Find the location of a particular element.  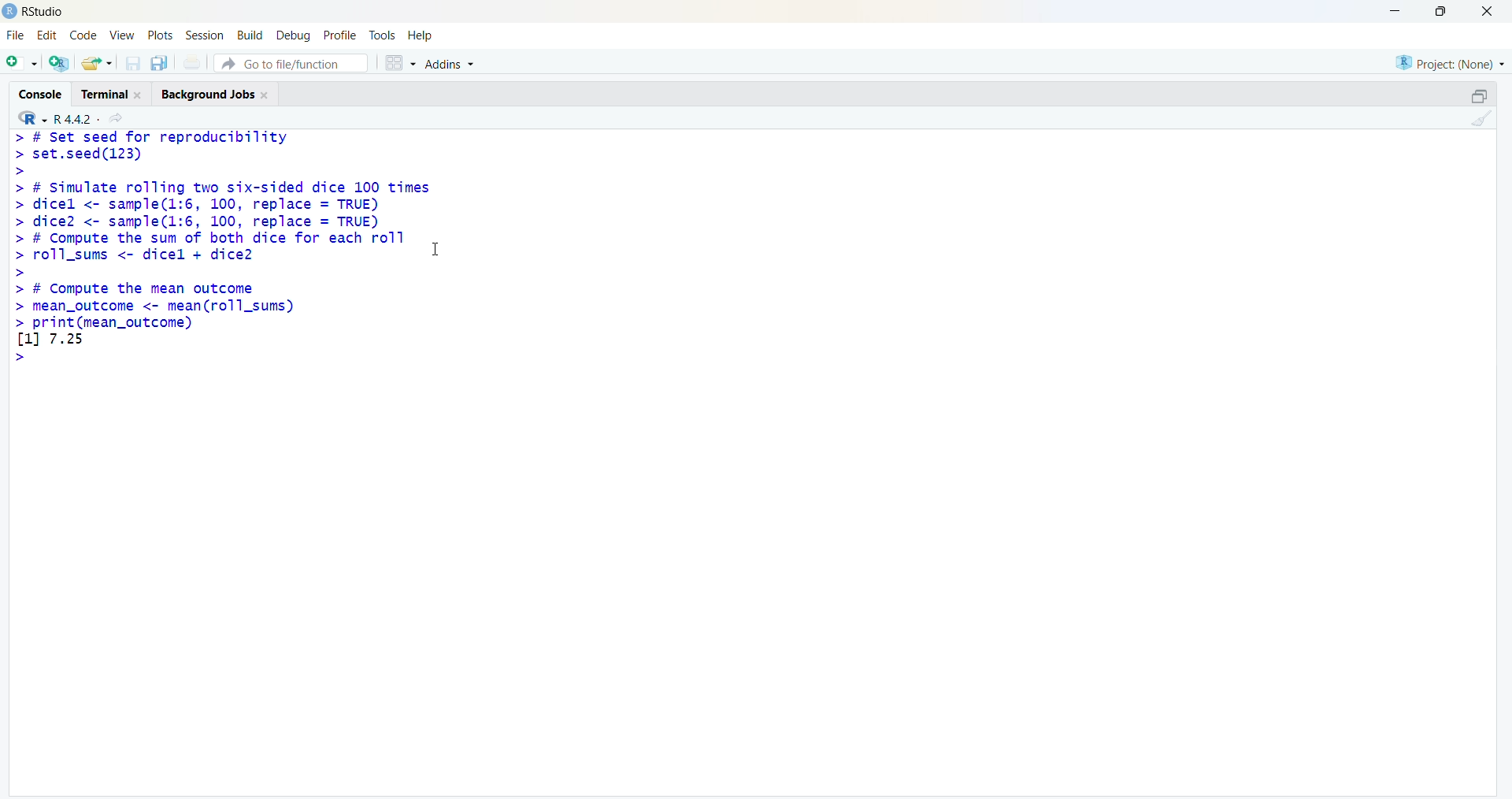

logo is located at coordinates (9, 11).